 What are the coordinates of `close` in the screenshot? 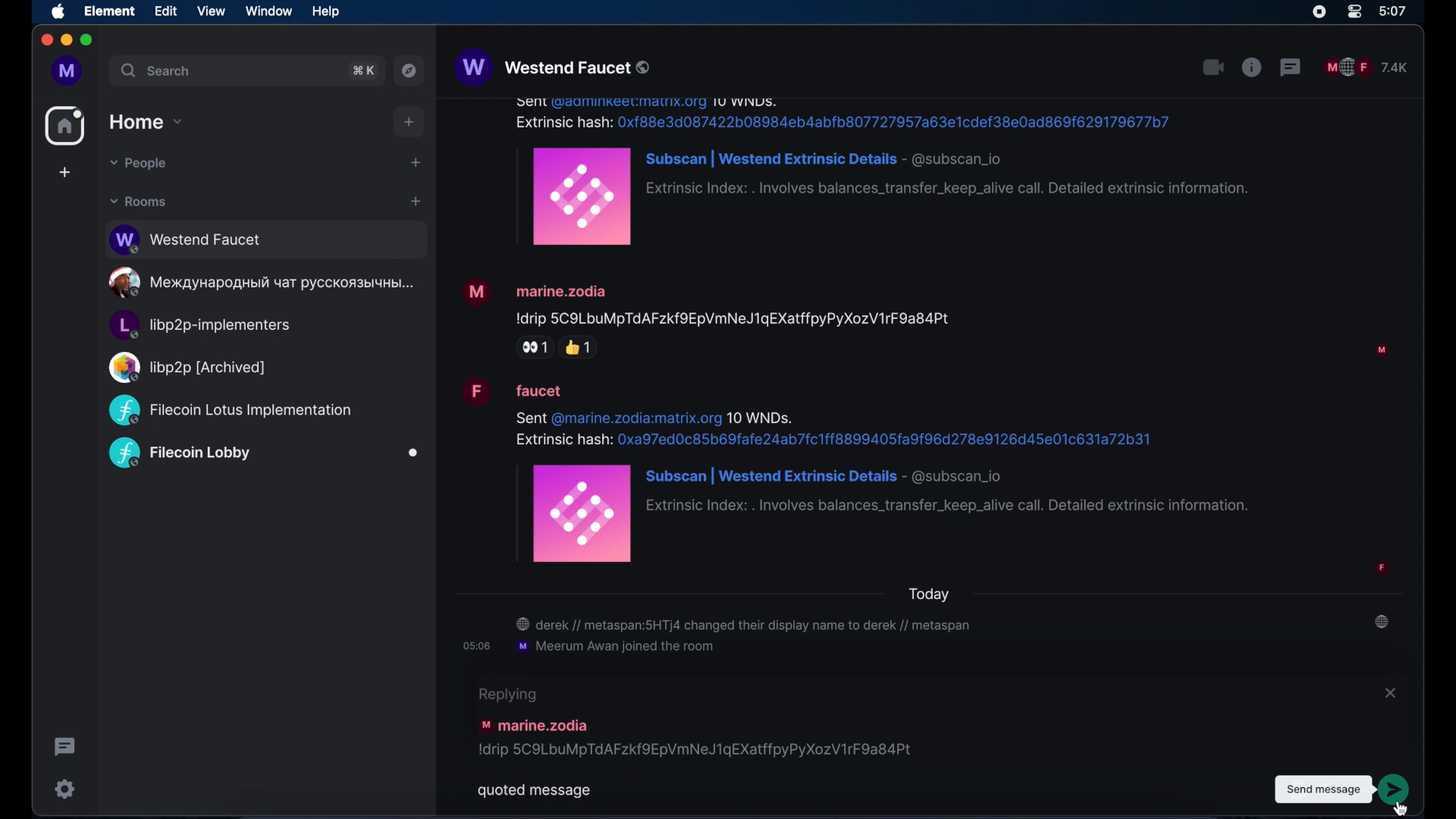 It's located at (45, 40).